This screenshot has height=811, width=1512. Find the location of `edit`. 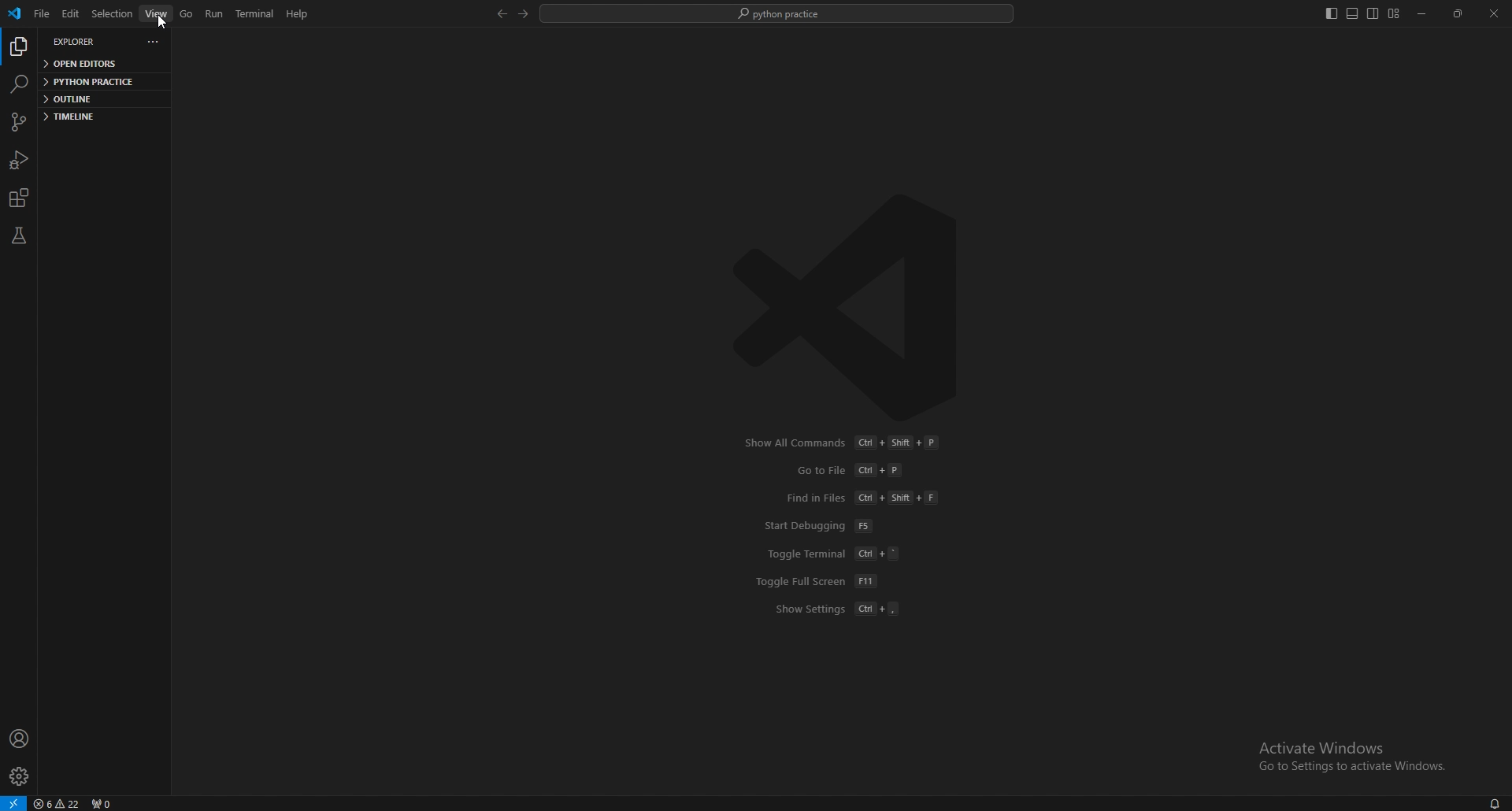

edit is located at coordinates (69, 13).